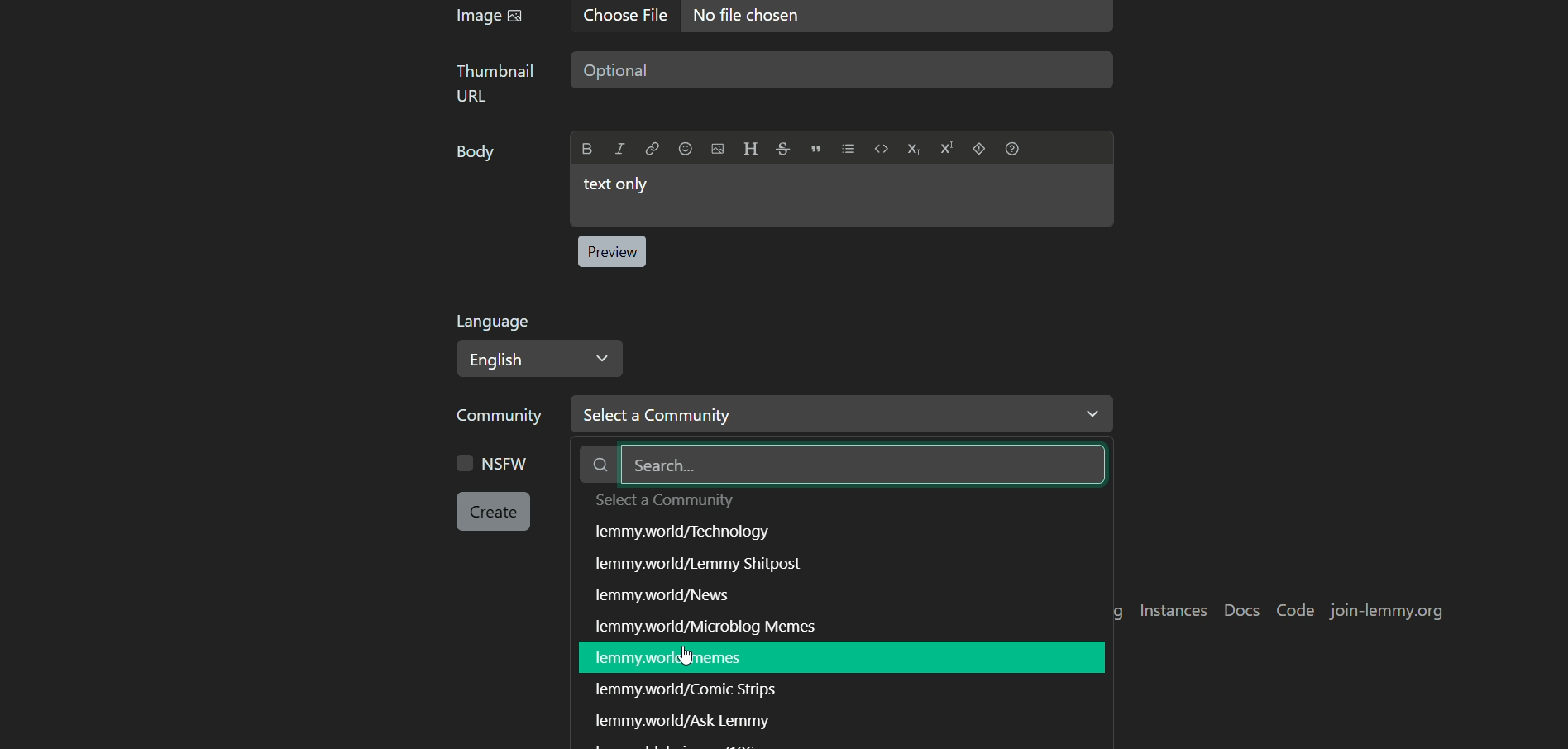 This screenshot has width=1568, height=749. I want to click on Body, so click(480, 151).